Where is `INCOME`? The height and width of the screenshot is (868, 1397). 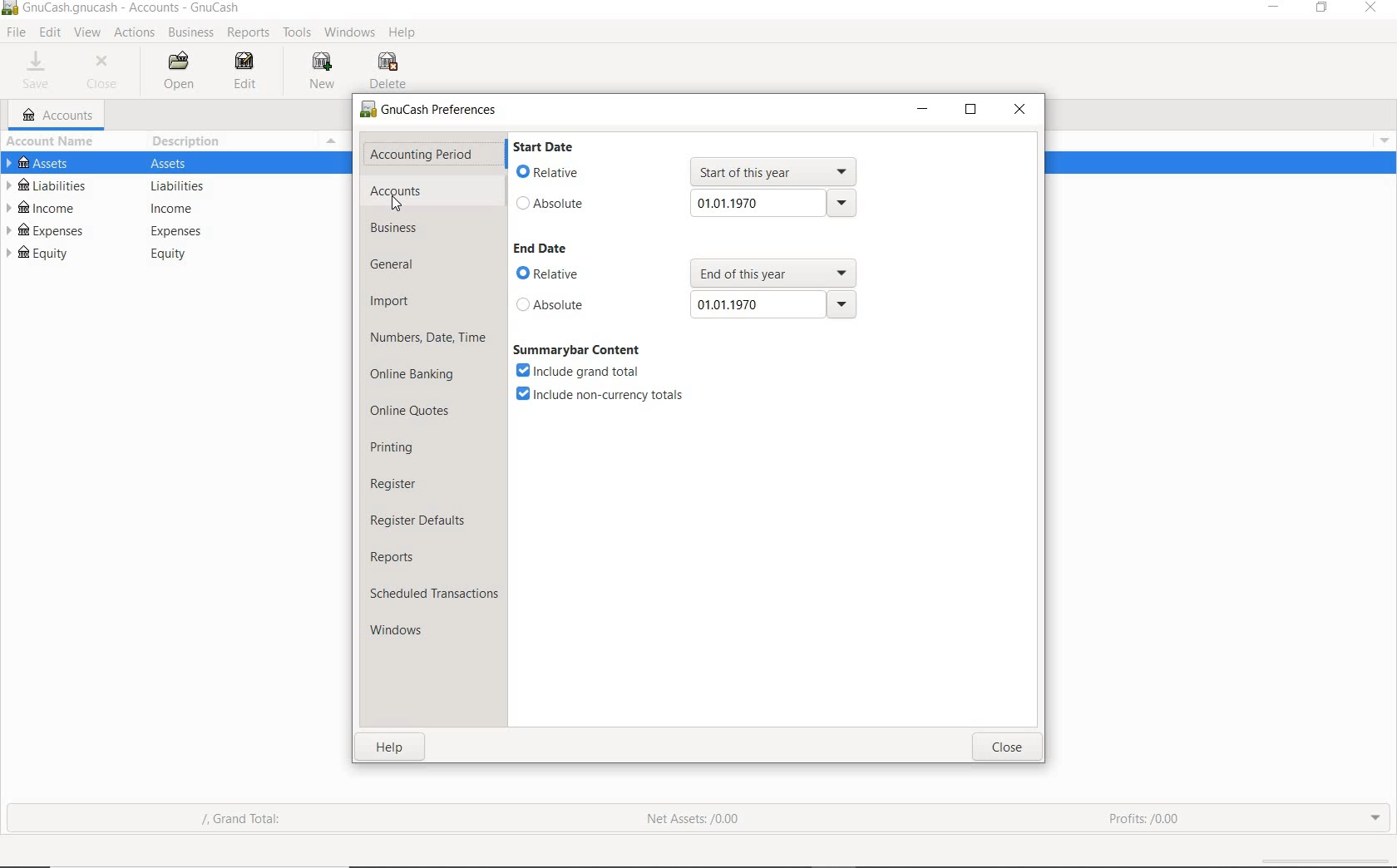
INCOME is located at coordinates (44, 208).